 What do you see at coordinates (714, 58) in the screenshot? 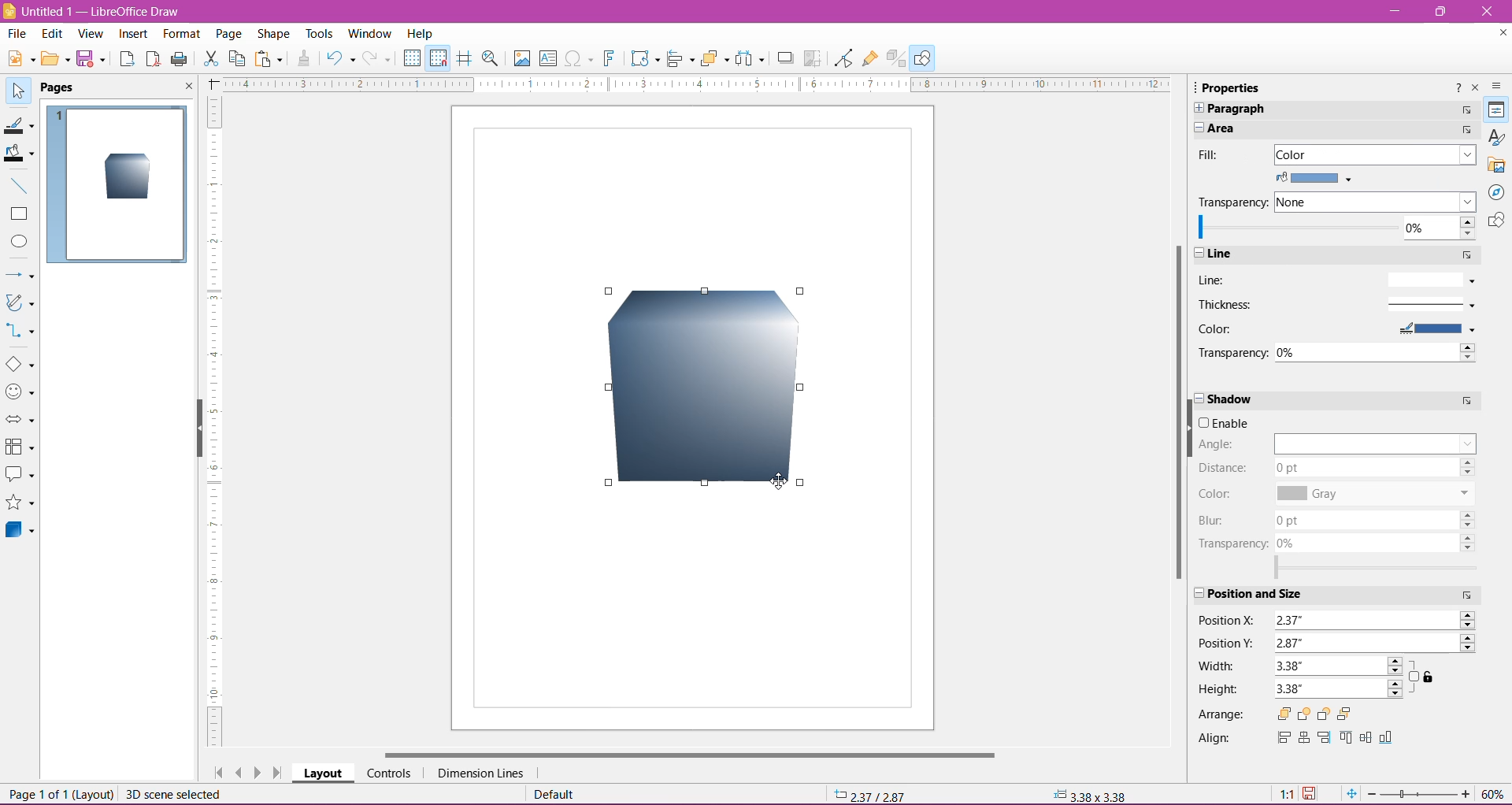
I see `Arrange` at bounding box center [714, 58].